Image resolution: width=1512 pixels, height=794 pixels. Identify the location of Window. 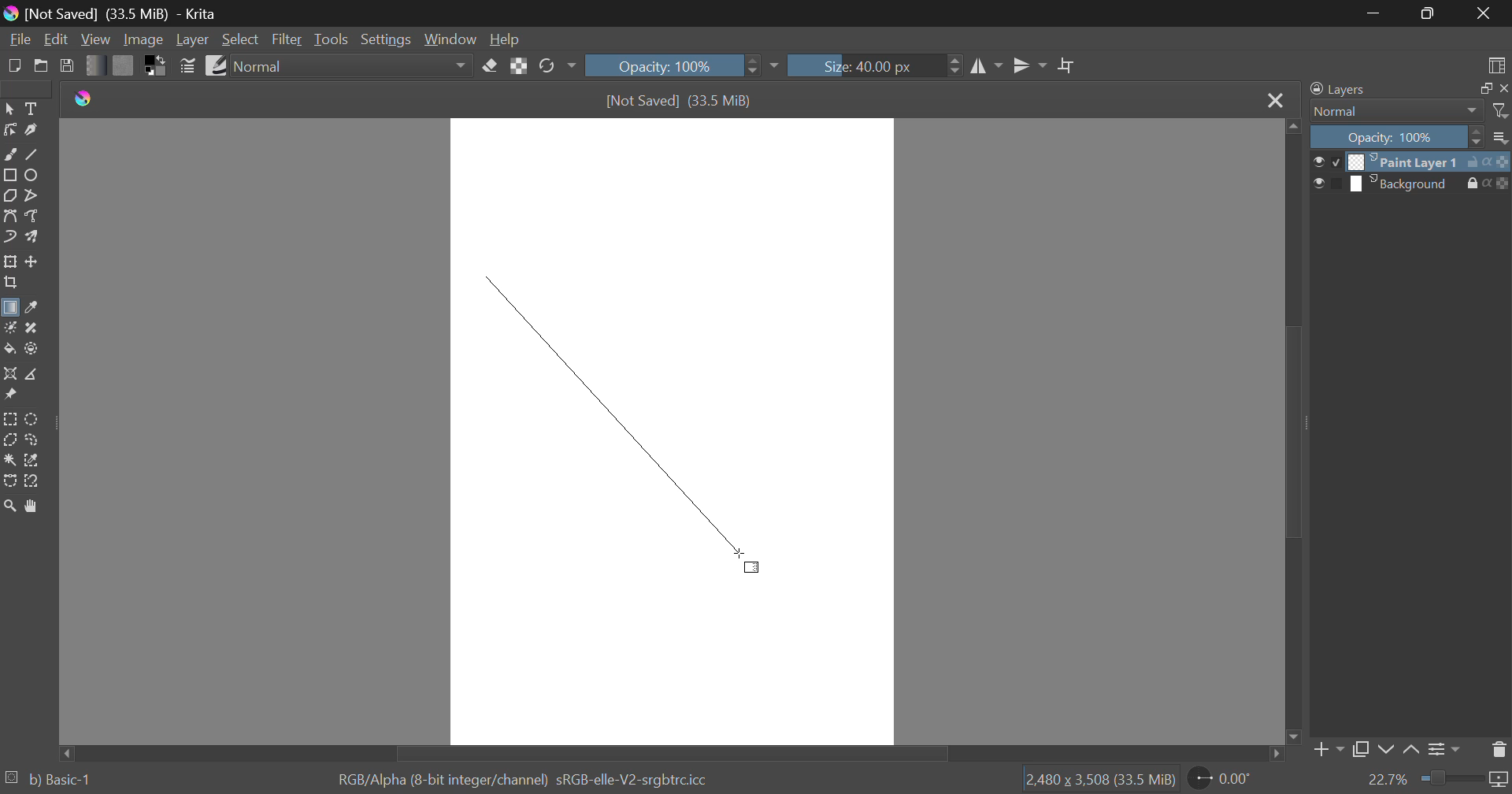
(449, 39).